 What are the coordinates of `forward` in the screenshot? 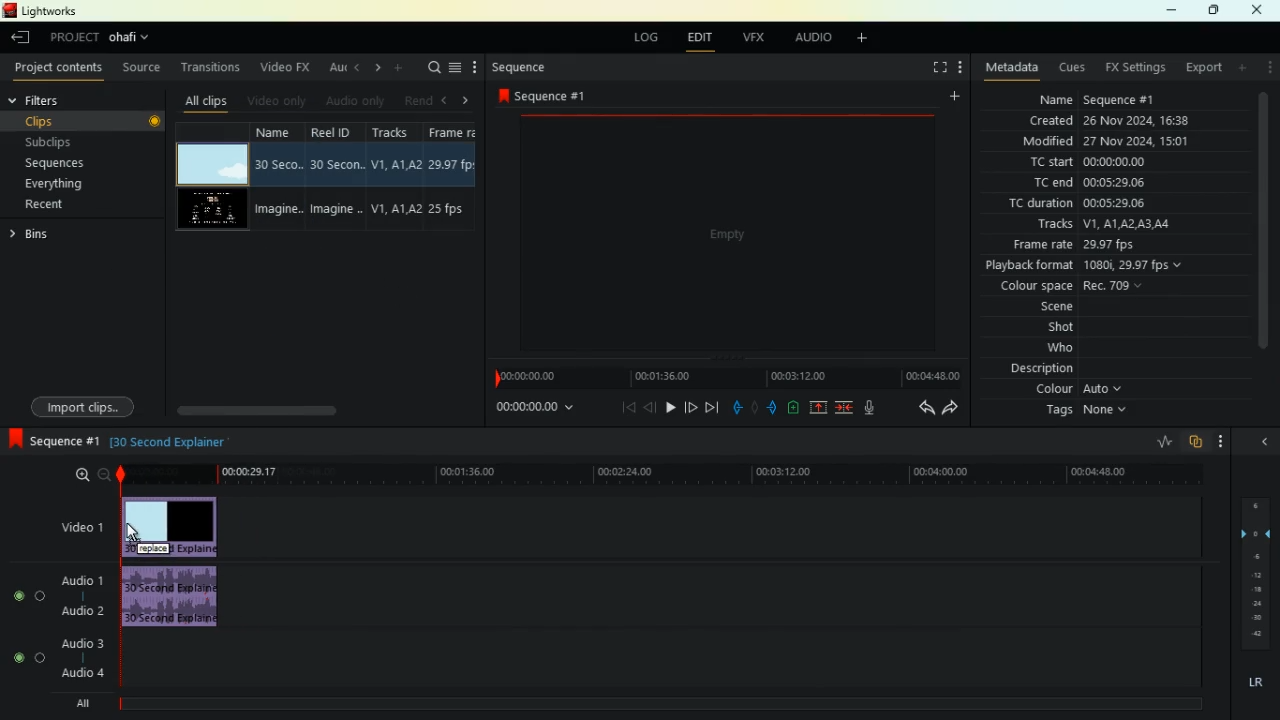 It's located at (691, 406).